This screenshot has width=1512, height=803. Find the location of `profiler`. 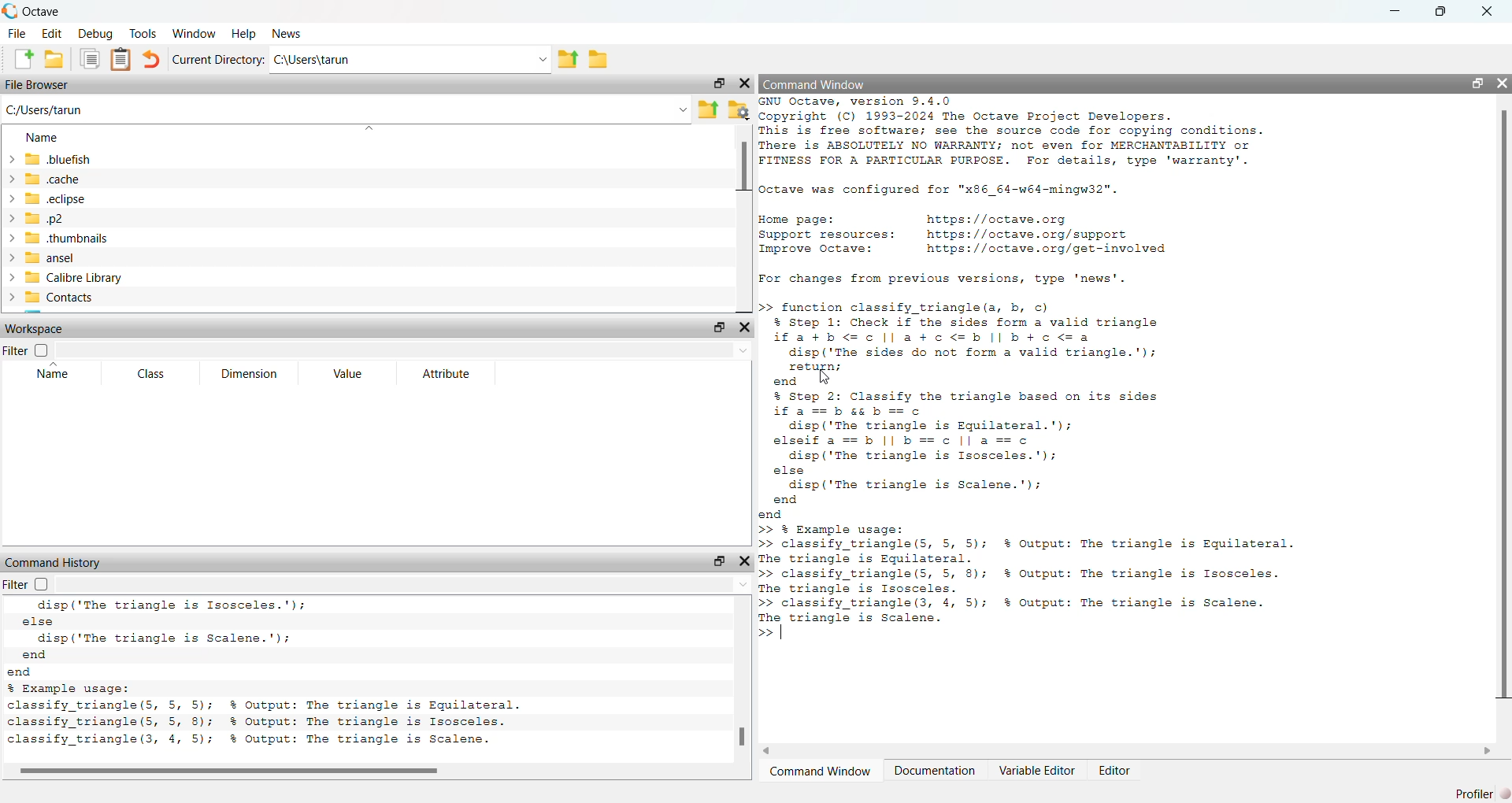

profiler is located at coordinates (1477, 792).